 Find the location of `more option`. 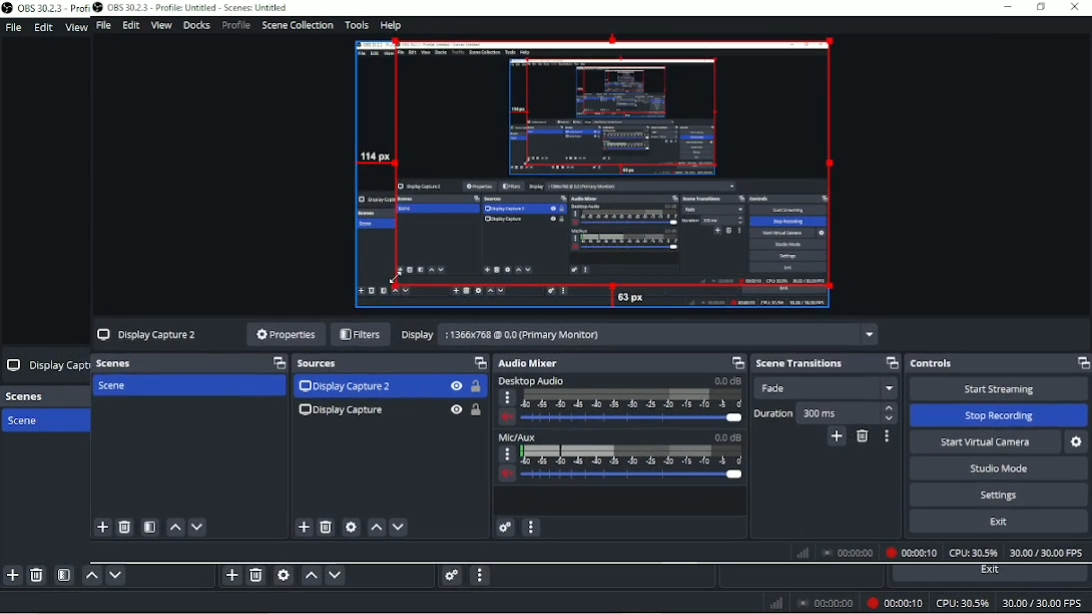

more option is located at coordinates (535, 528).